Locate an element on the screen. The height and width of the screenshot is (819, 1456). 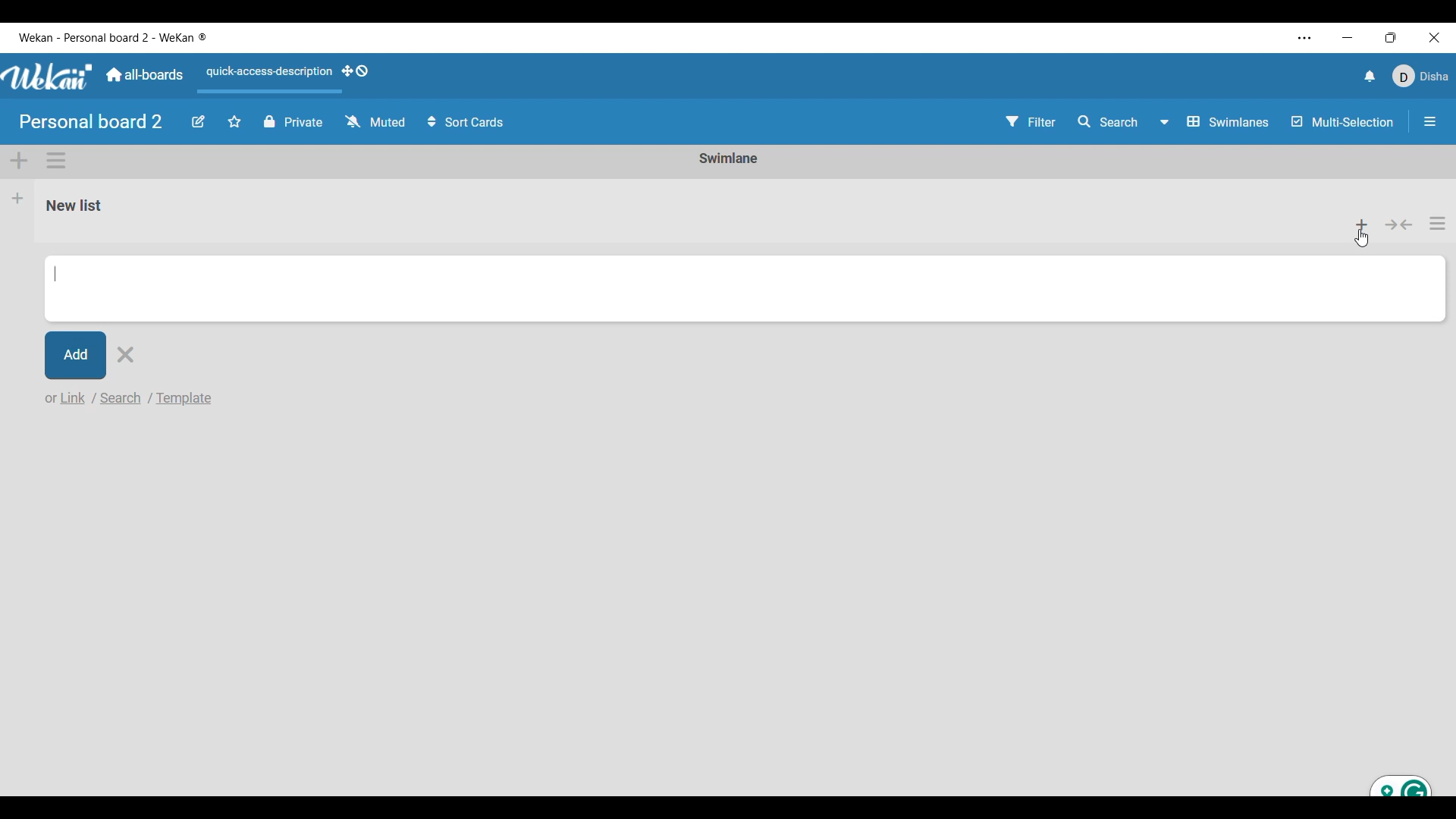
Search card is located at coordinates (122, 397).